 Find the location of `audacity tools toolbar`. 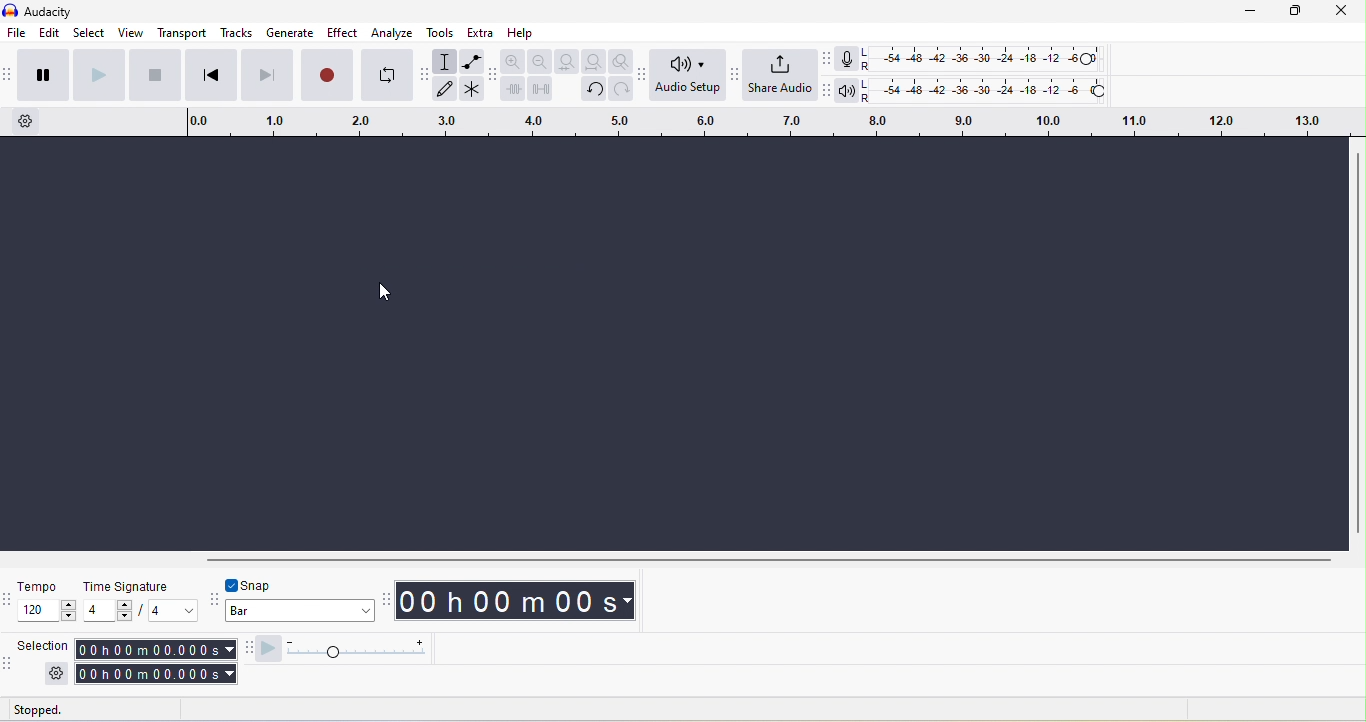

audacity tools toolbar is located at coordinates (424, 74).